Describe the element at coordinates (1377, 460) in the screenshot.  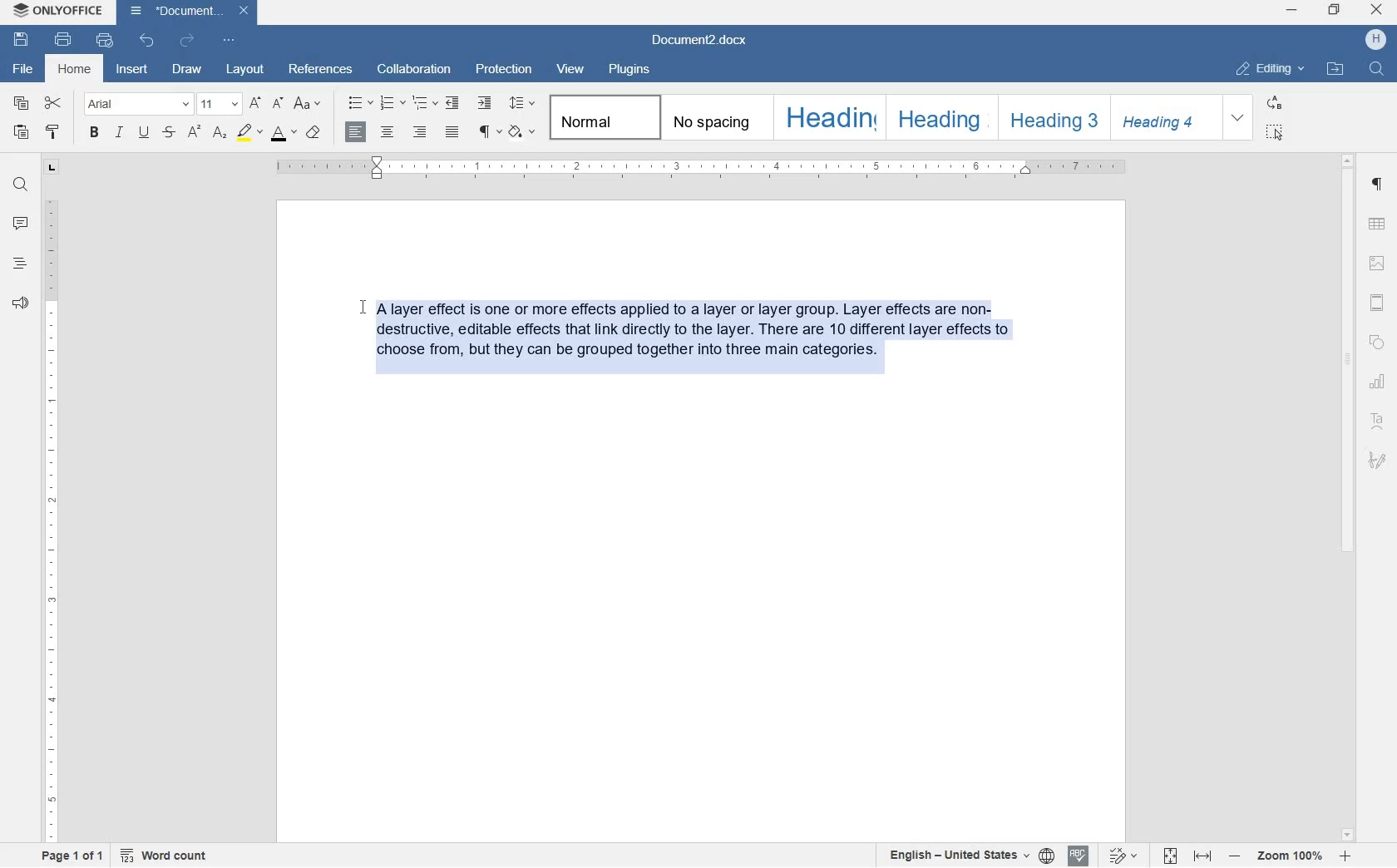
I see `signature` at that location.